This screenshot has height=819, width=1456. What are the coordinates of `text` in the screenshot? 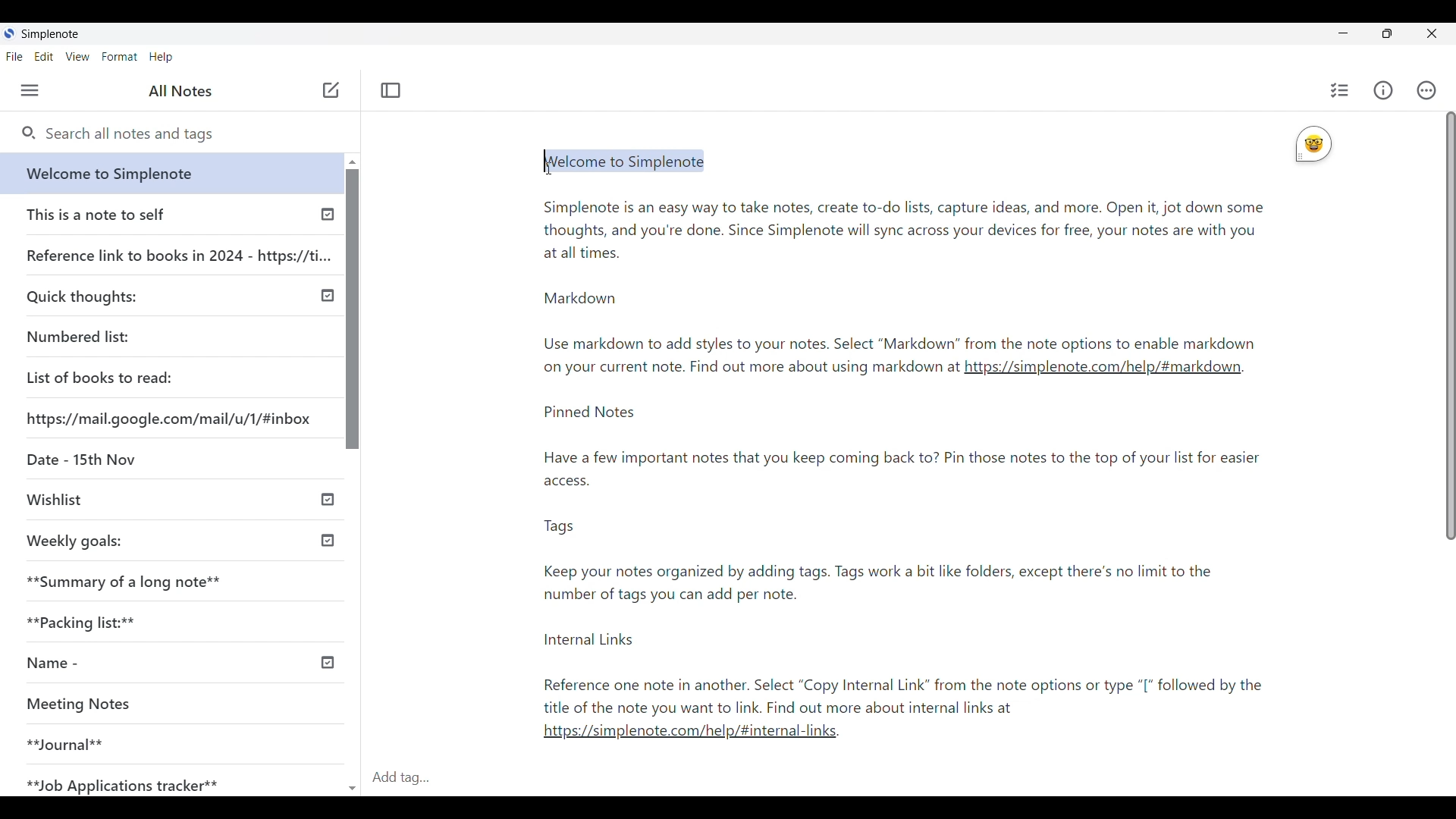 It's located at (748, 369).